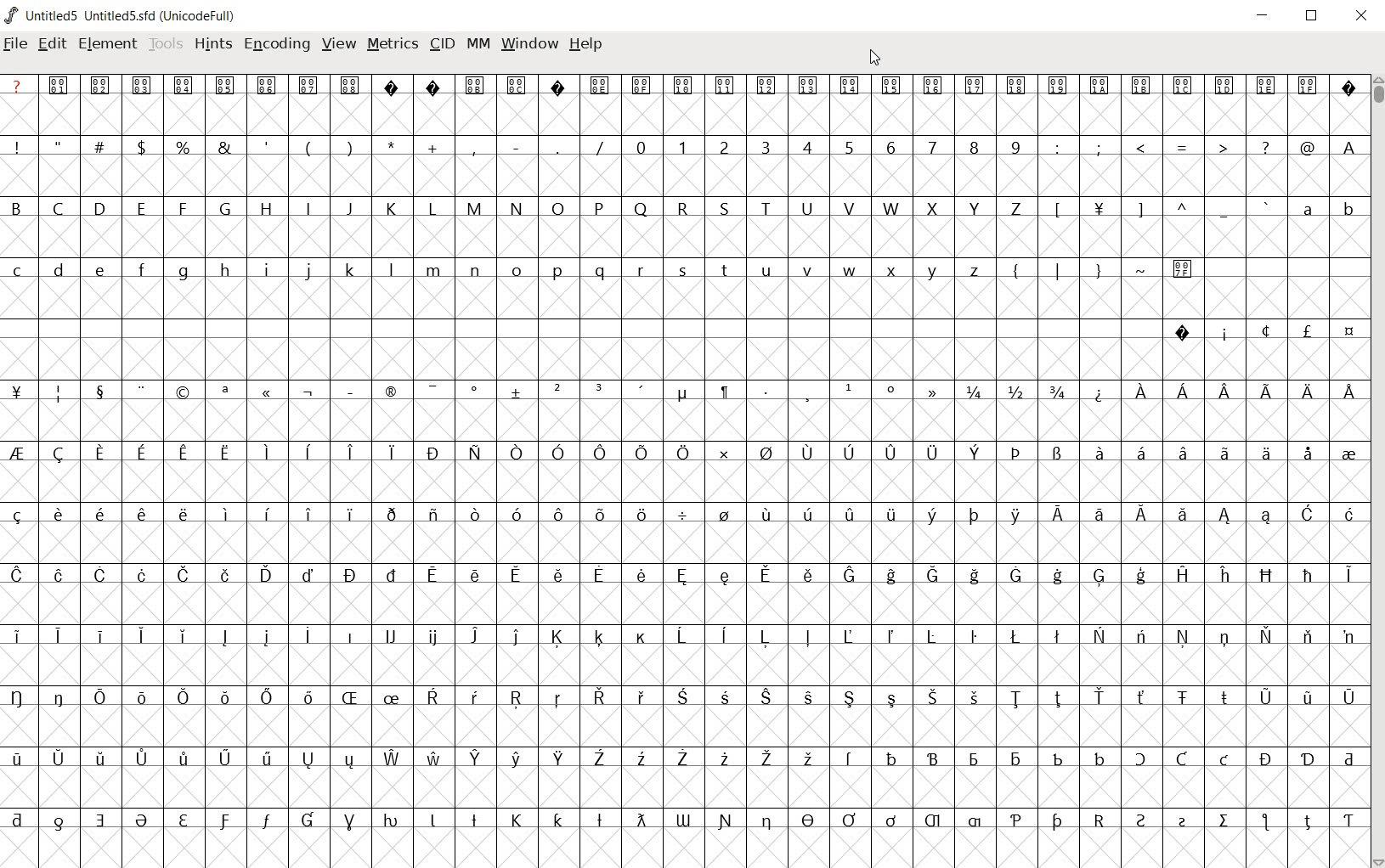 The image size is (1385, 868). What do you see at coordinates (1098, 516) in the screenshot?
I see `Symbol` at bounding box center [1098, 516].